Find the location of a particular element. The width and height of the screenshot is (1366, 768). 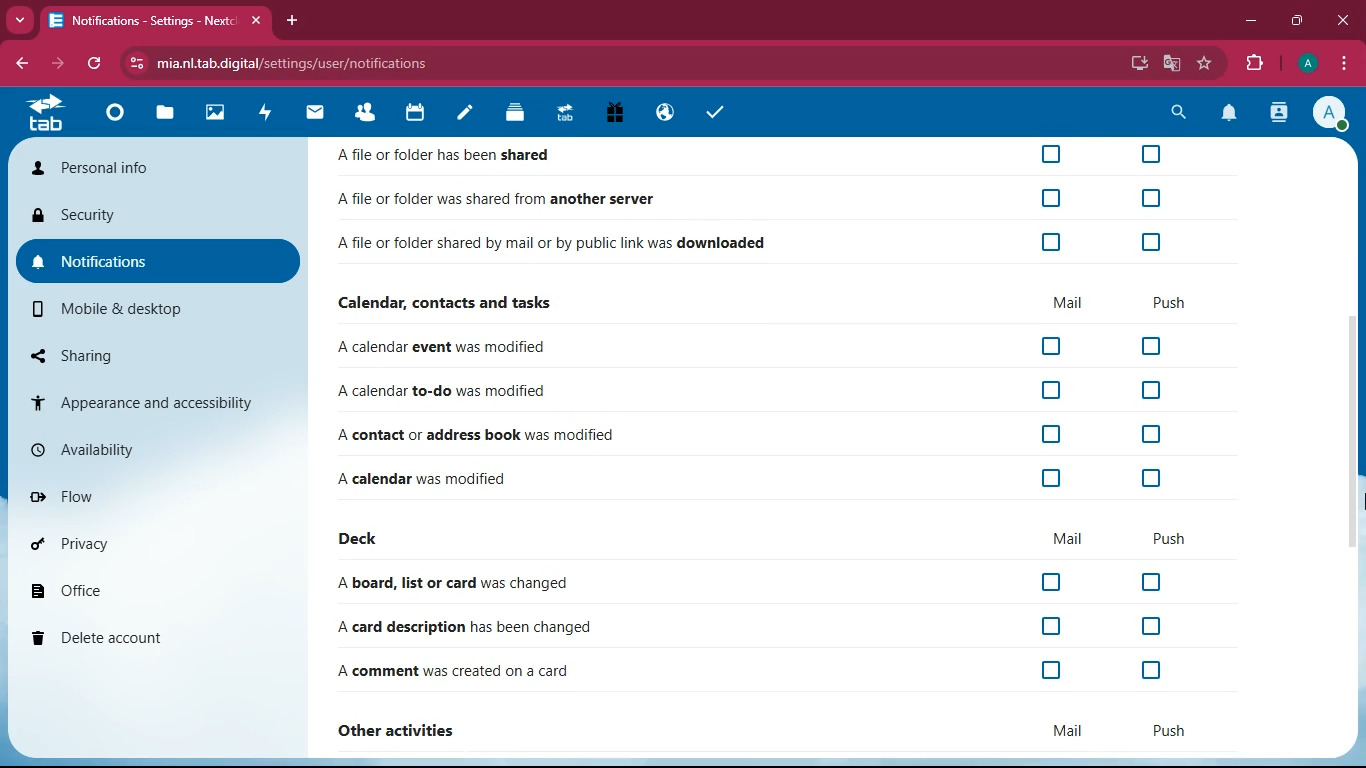

off is located at coordinates (1057, 581).